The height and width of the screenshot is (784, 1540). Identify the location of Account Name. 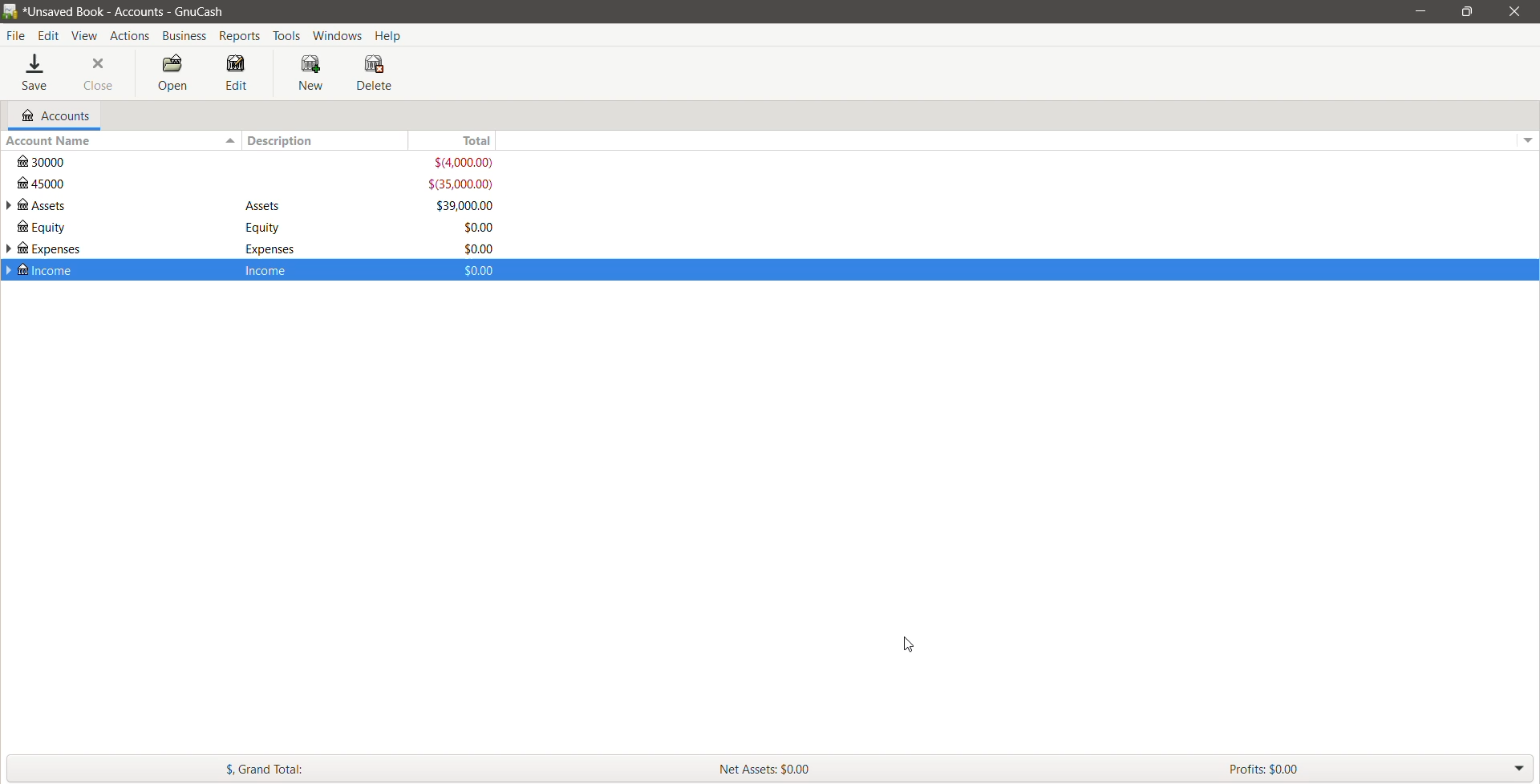
(120, 141).